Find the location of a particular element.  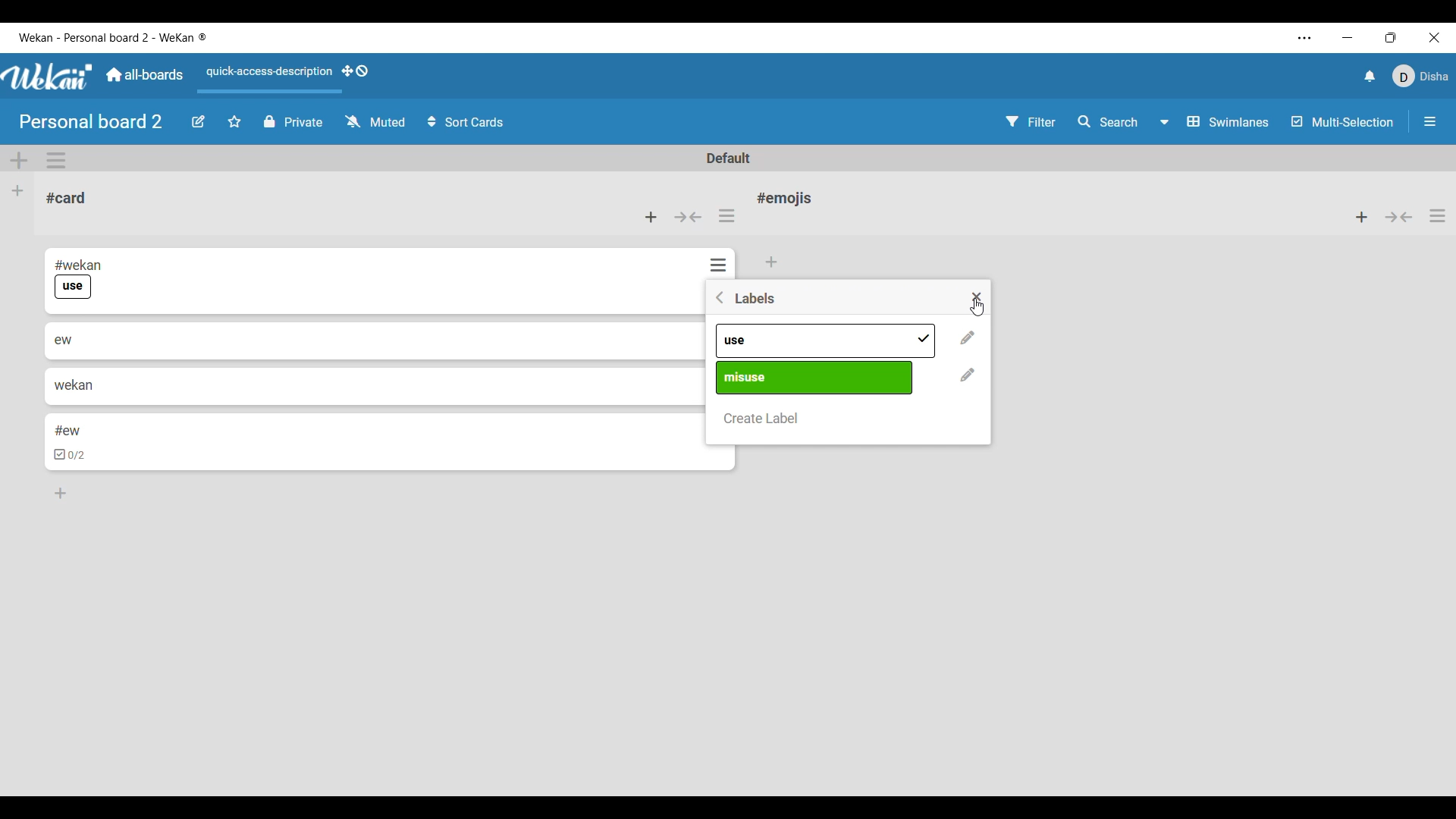

Card actions for respective card is located at coordinates (720, 265).